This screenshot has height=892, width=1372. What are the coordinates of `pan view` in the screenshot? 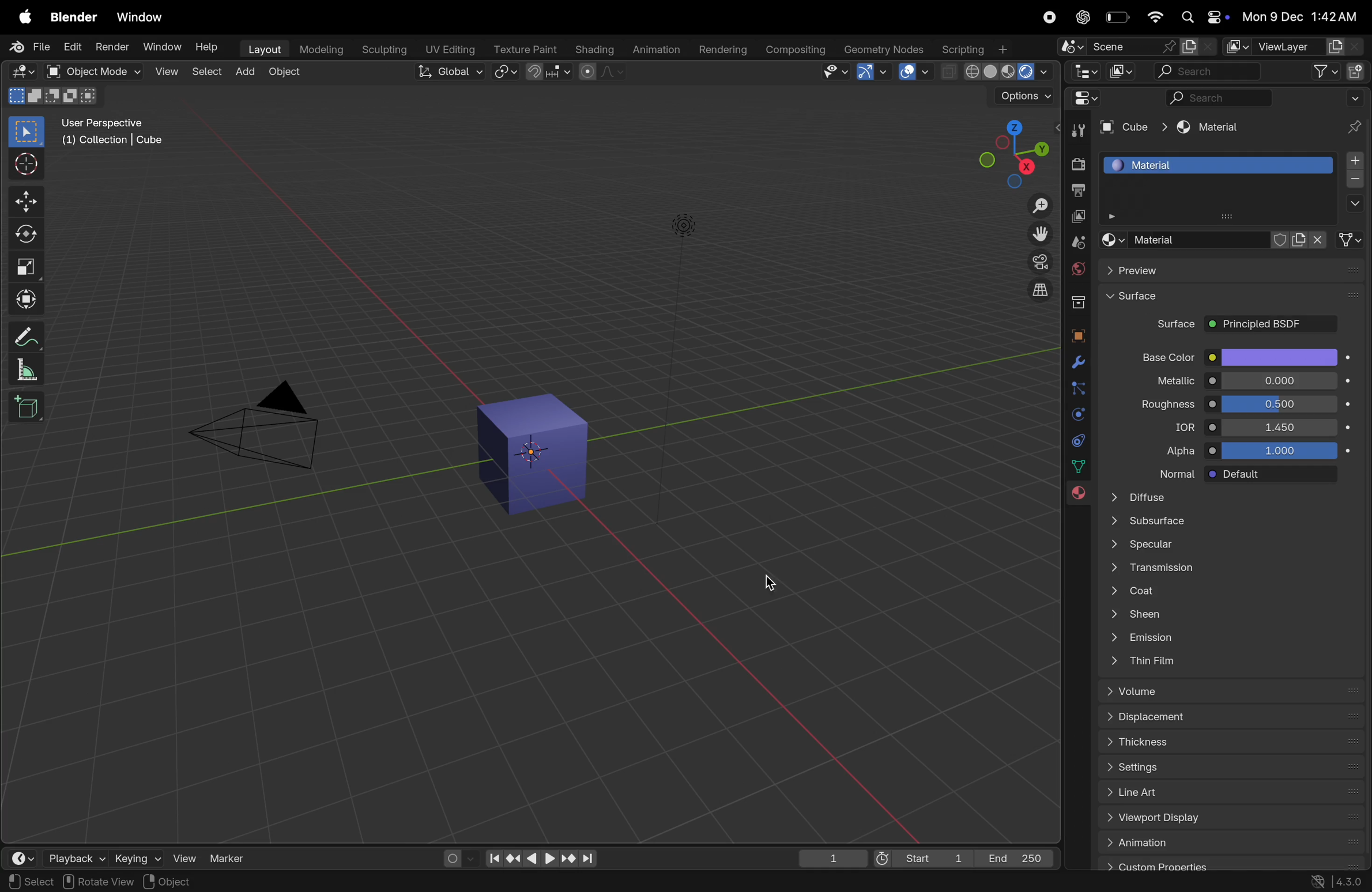 It's located at (152, 881).